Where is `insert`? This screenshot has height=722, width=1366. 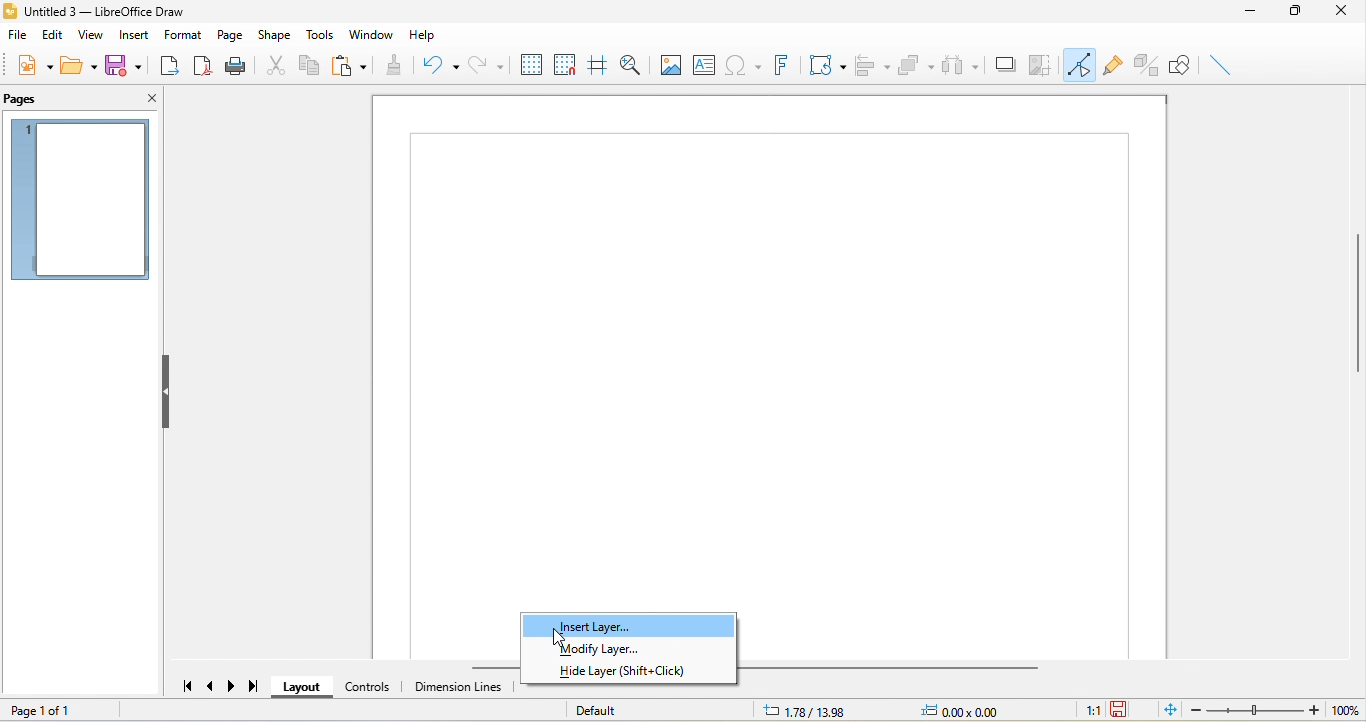 insert is located at coordinates (131, 36).